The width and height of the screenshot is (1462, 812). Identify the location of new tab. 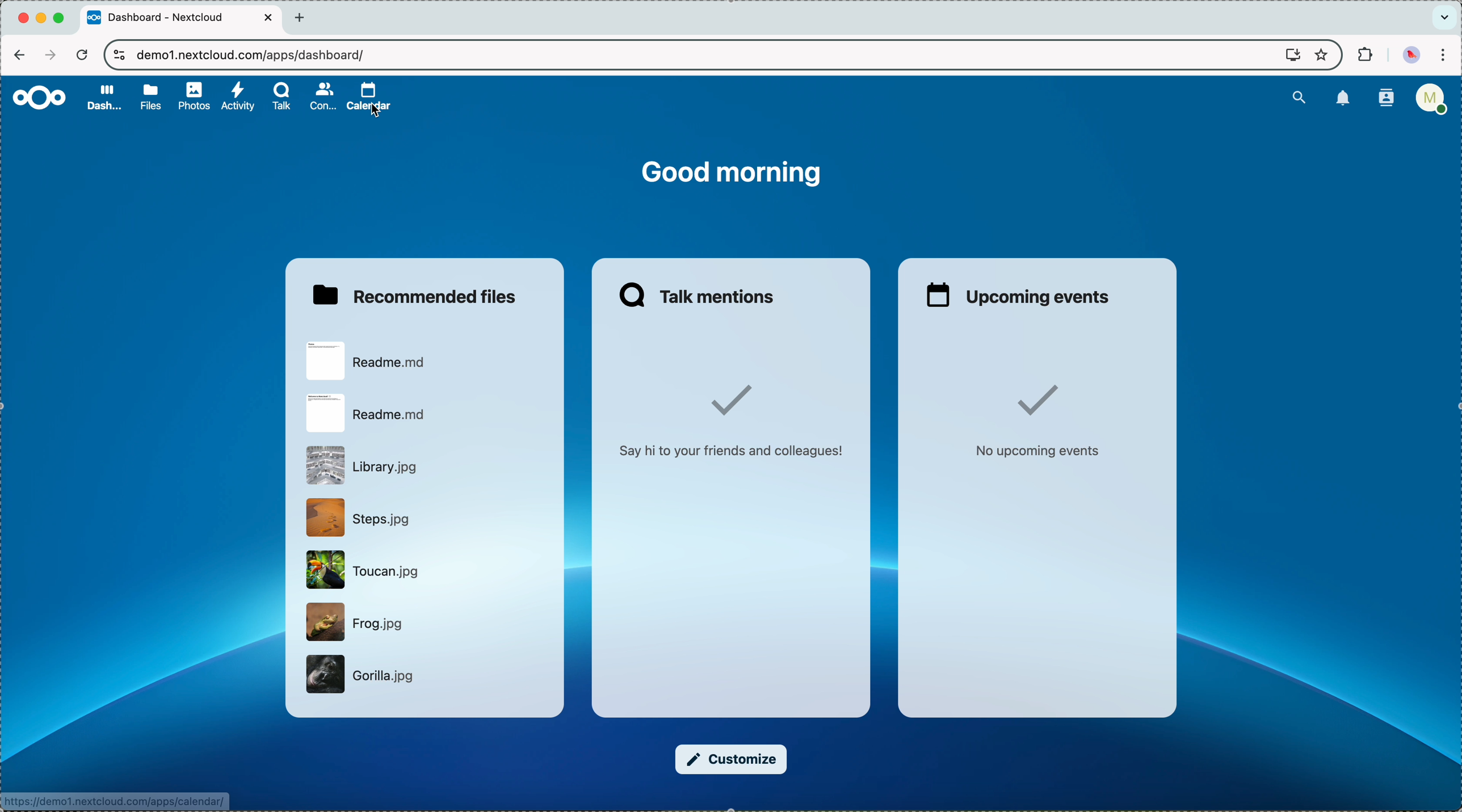
(303, 18).